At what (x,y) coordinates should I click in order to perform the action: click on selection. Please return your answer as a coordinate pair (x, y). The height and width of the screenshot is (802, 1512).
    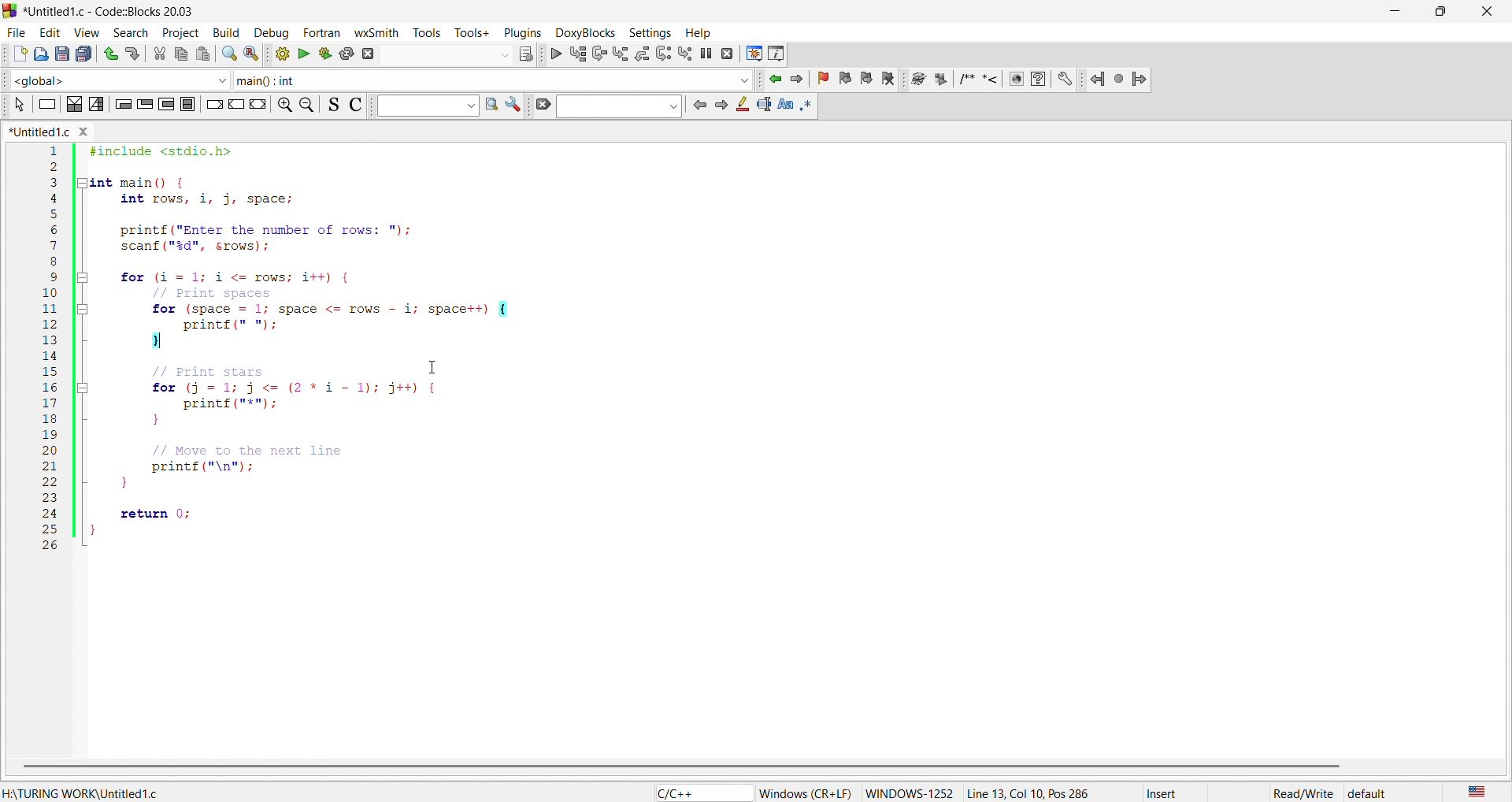
    Looking at the image, I should click on (96, 104).